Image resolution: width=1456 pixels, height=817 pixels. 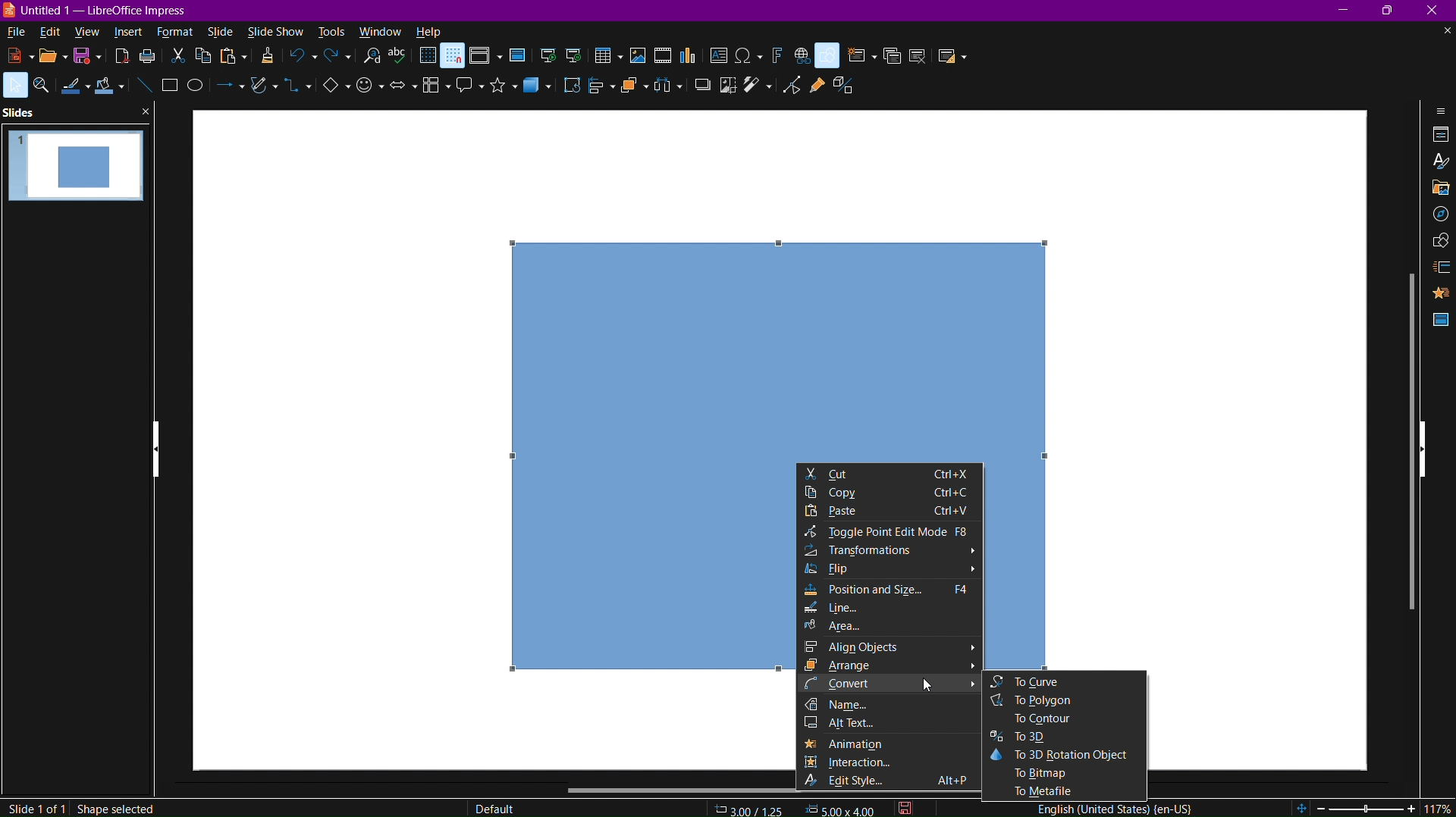 I want to click on To Bitmap, so click(x=1067, y=775).